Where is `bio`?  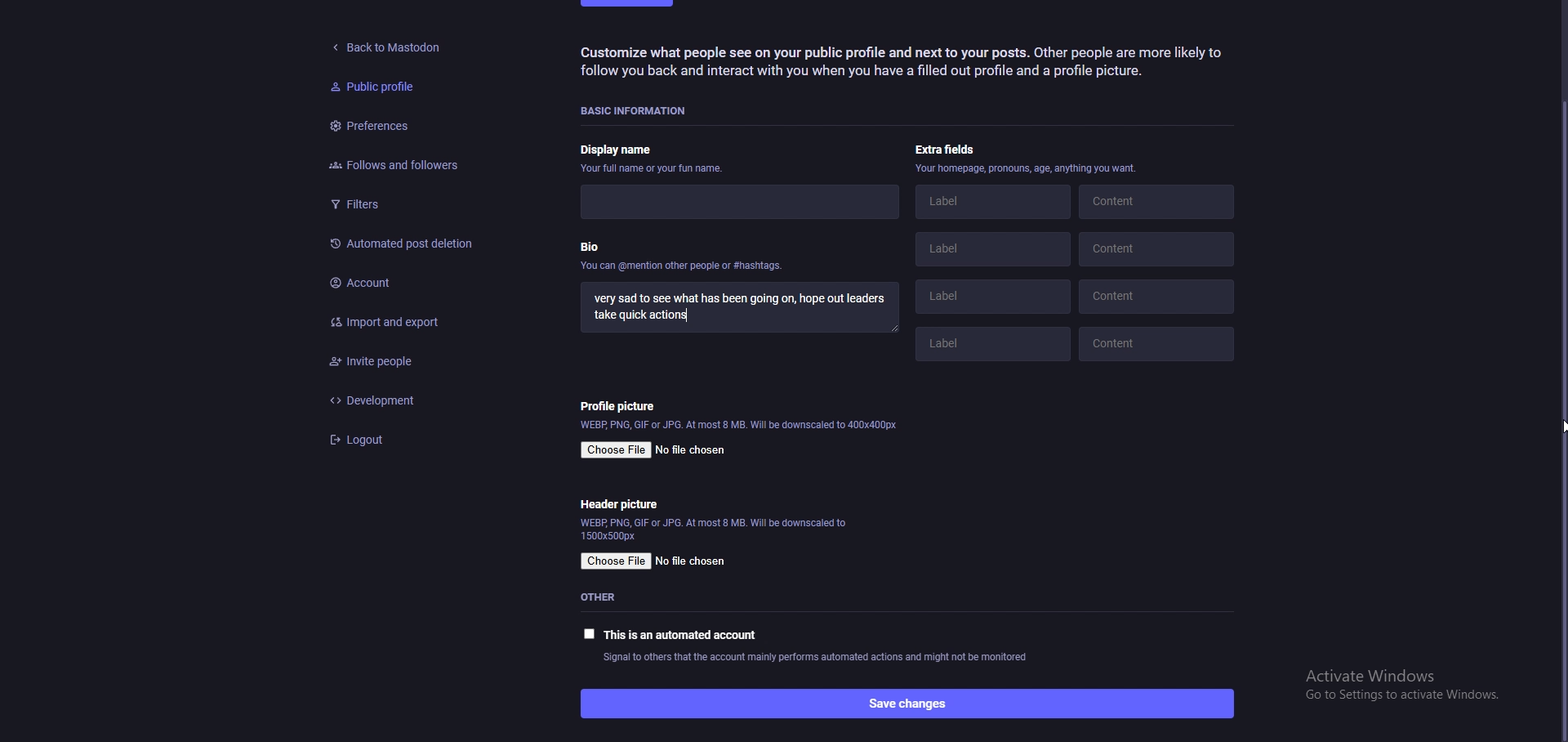 bio is located at coordinates (741, 310).